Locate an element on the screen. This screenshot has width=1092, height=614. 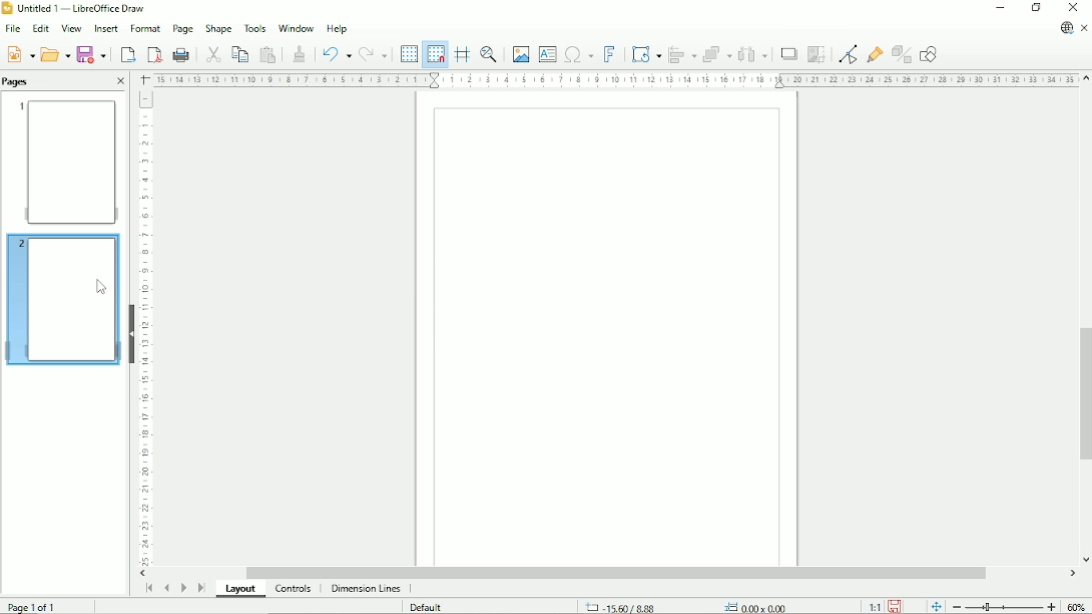
Default is located at coordinates (428, 607).